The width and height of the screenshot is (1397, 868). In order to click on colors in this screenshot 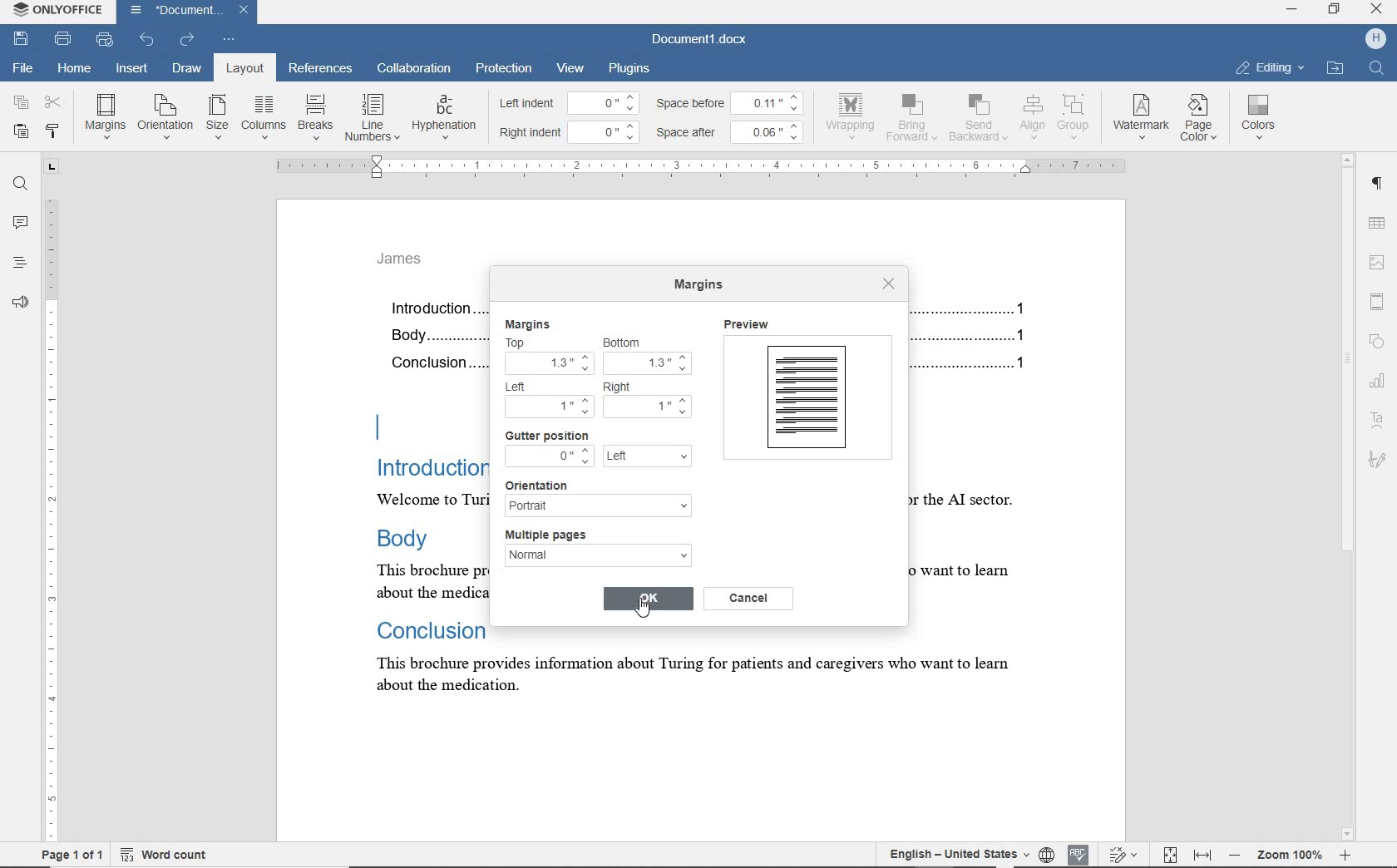, I will do `click(1261, 117)`.